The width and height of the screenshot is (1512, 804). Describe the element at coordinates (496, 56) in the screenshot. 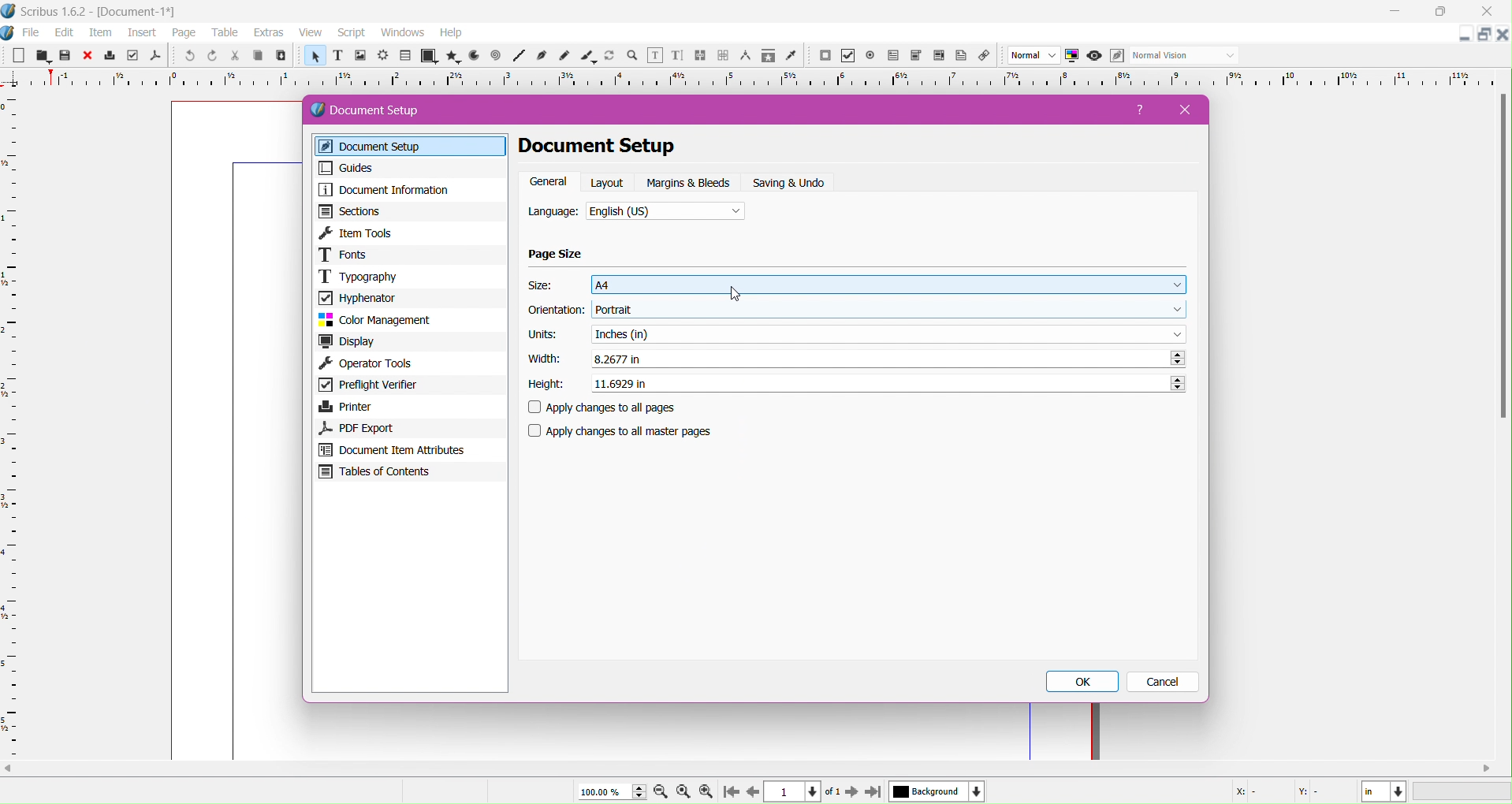

I see `spiral` at that location.